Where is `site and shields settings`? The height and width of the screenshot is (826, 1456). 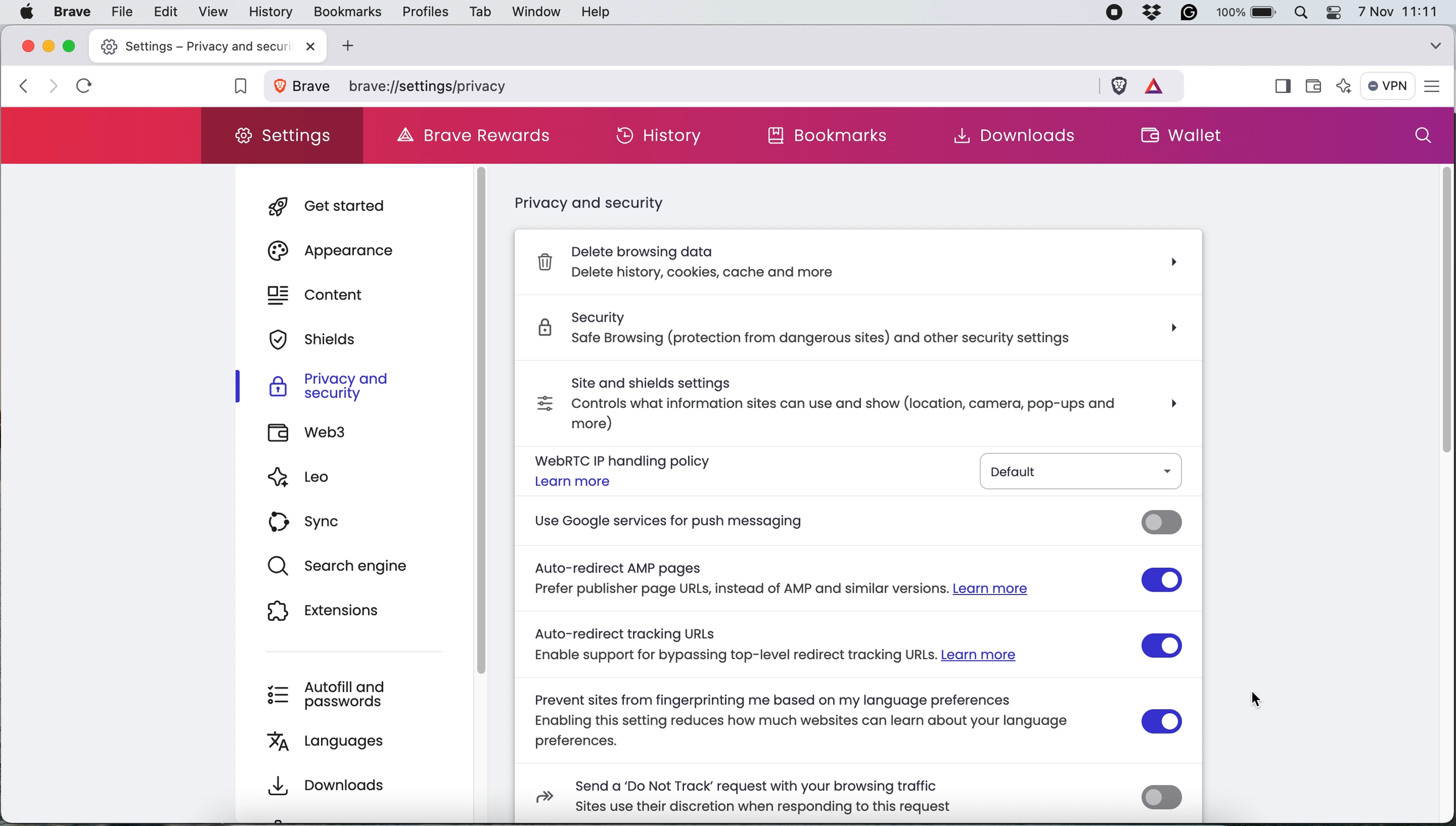 site and shields settings is located at coordinates (855, 400).